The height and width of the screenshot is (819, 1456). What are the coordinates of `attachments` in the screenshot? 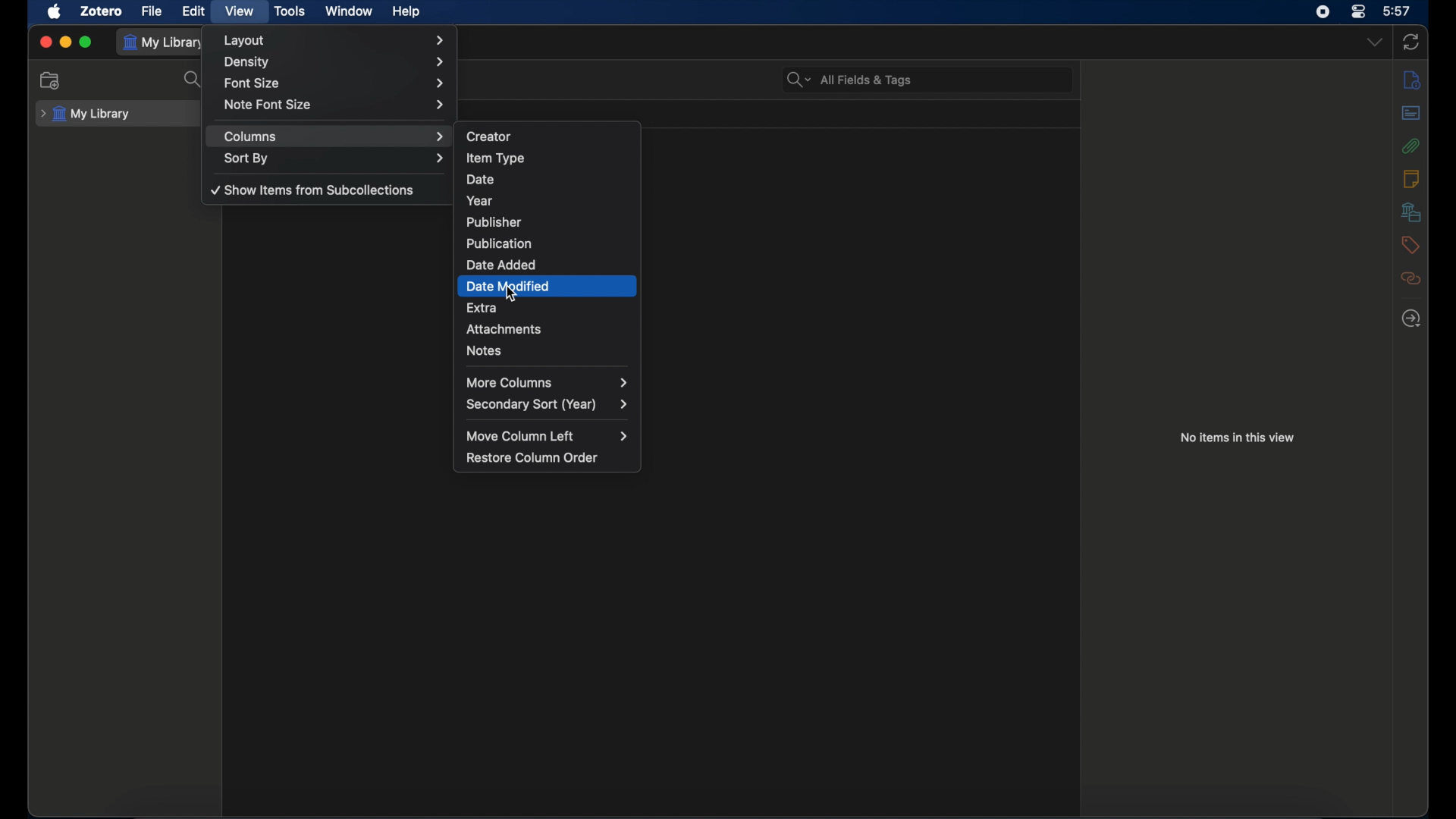 It's located at (549, 328).